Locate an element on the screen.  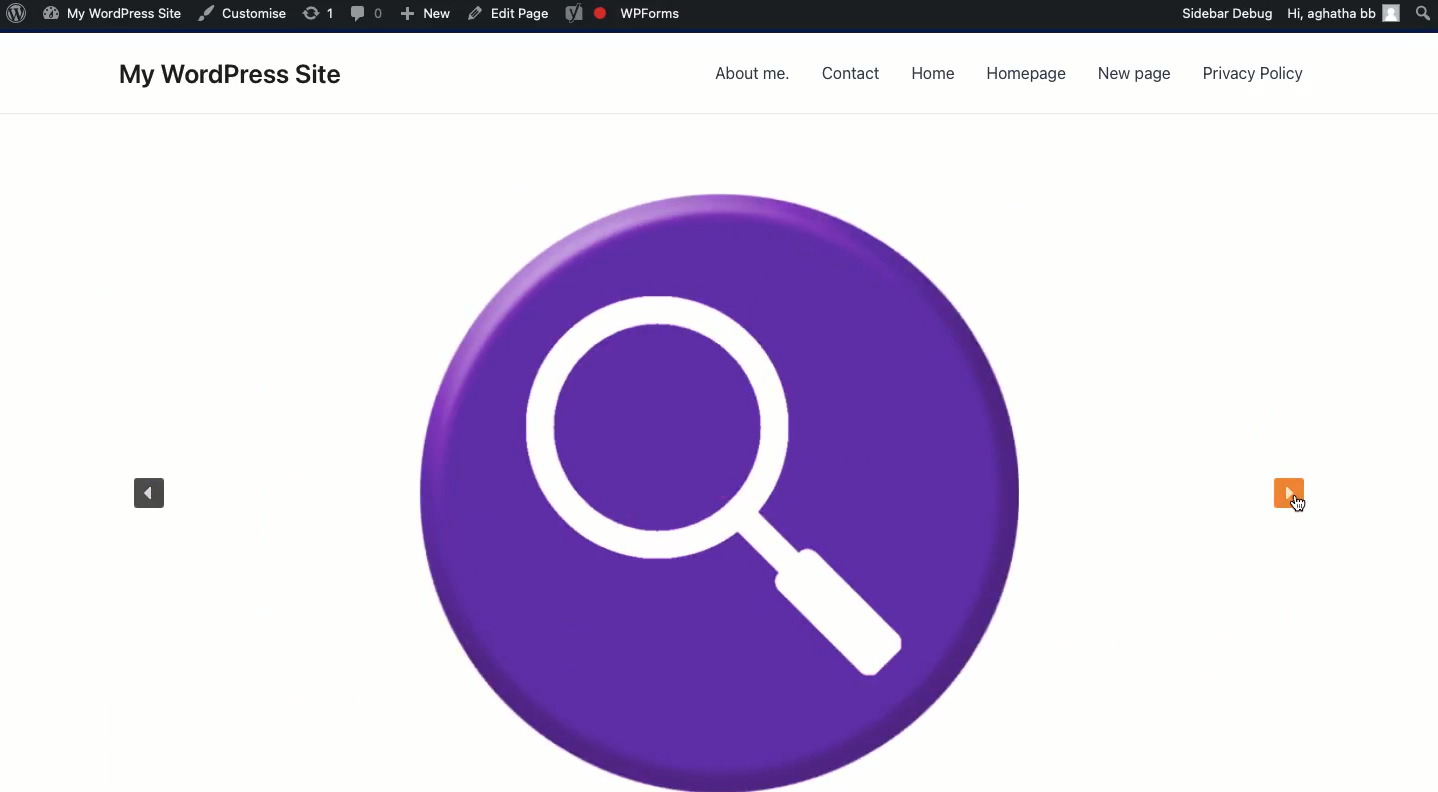
comments is located at coordinates (368, 14).